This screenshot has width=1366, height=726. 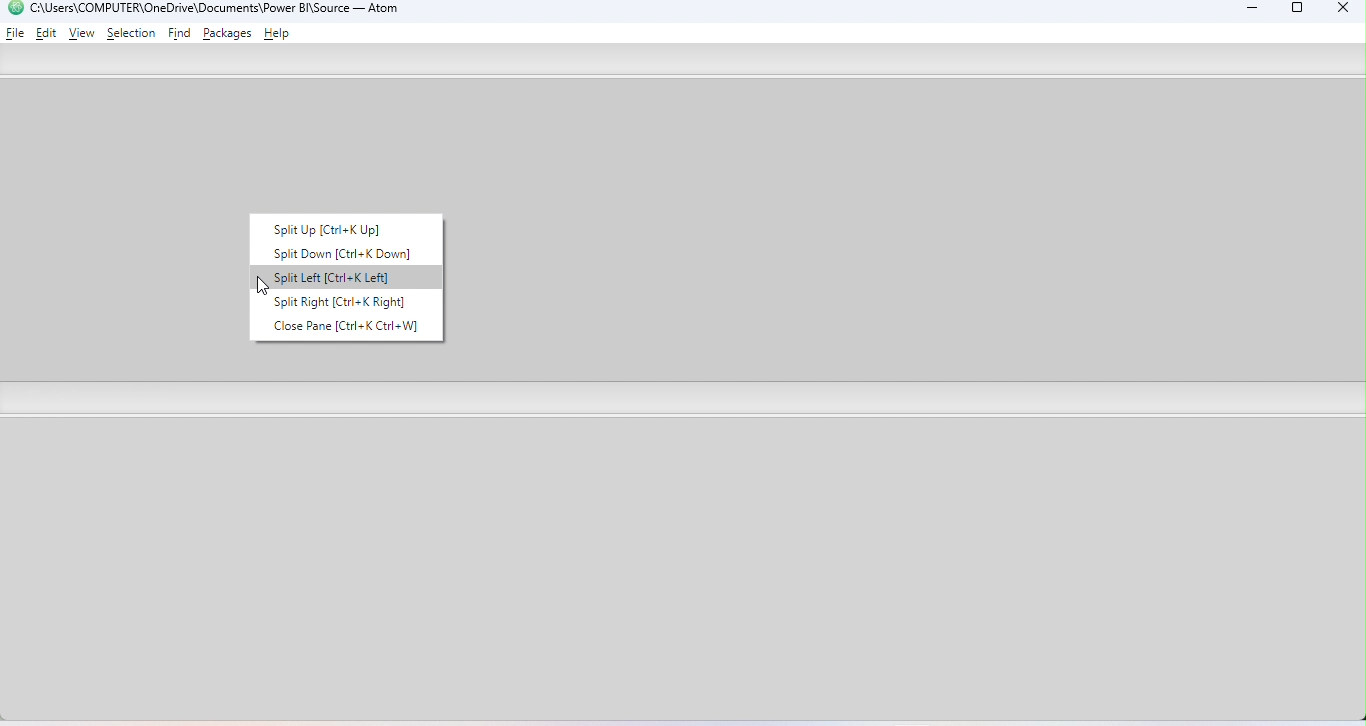 What do you see at coordinates (1298, 11) in the screenshot?
I see `Maximize` at bounding box center [1298, 11].